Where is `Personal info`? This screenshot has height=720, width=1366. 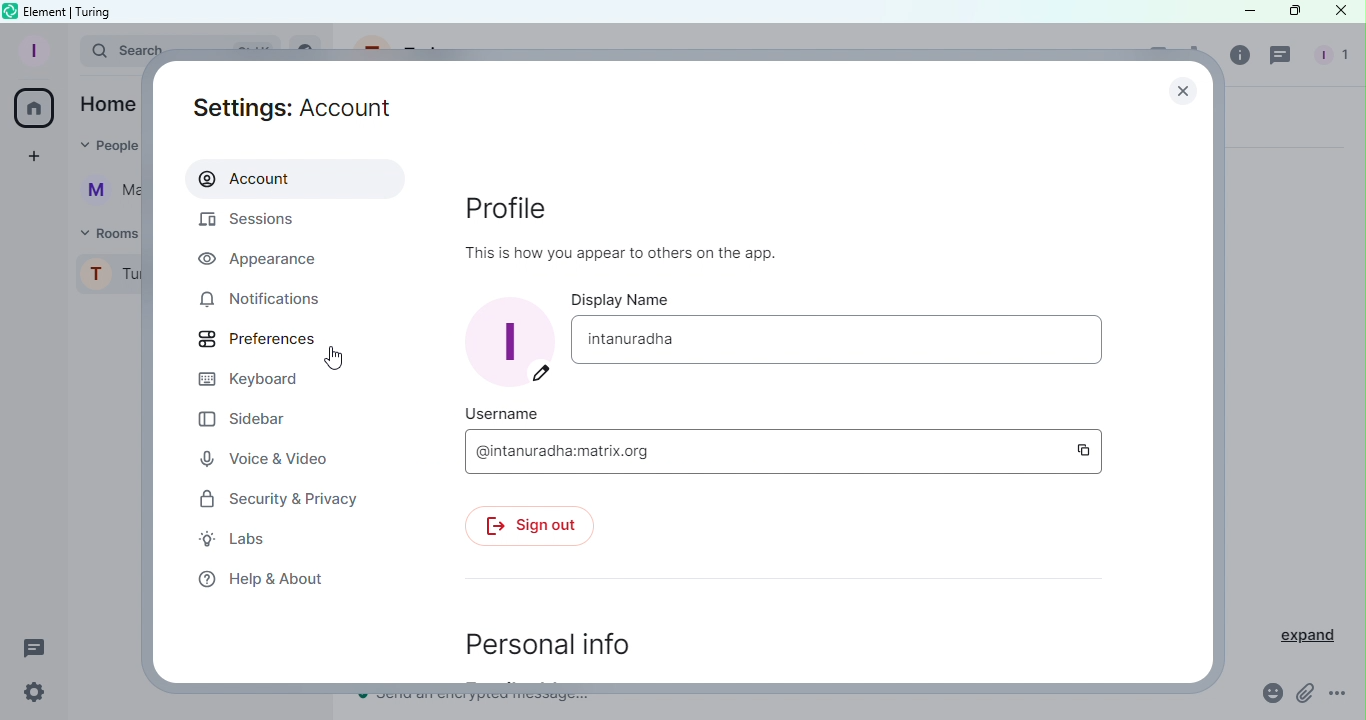
Personal info is located at coordinates (555, 644).